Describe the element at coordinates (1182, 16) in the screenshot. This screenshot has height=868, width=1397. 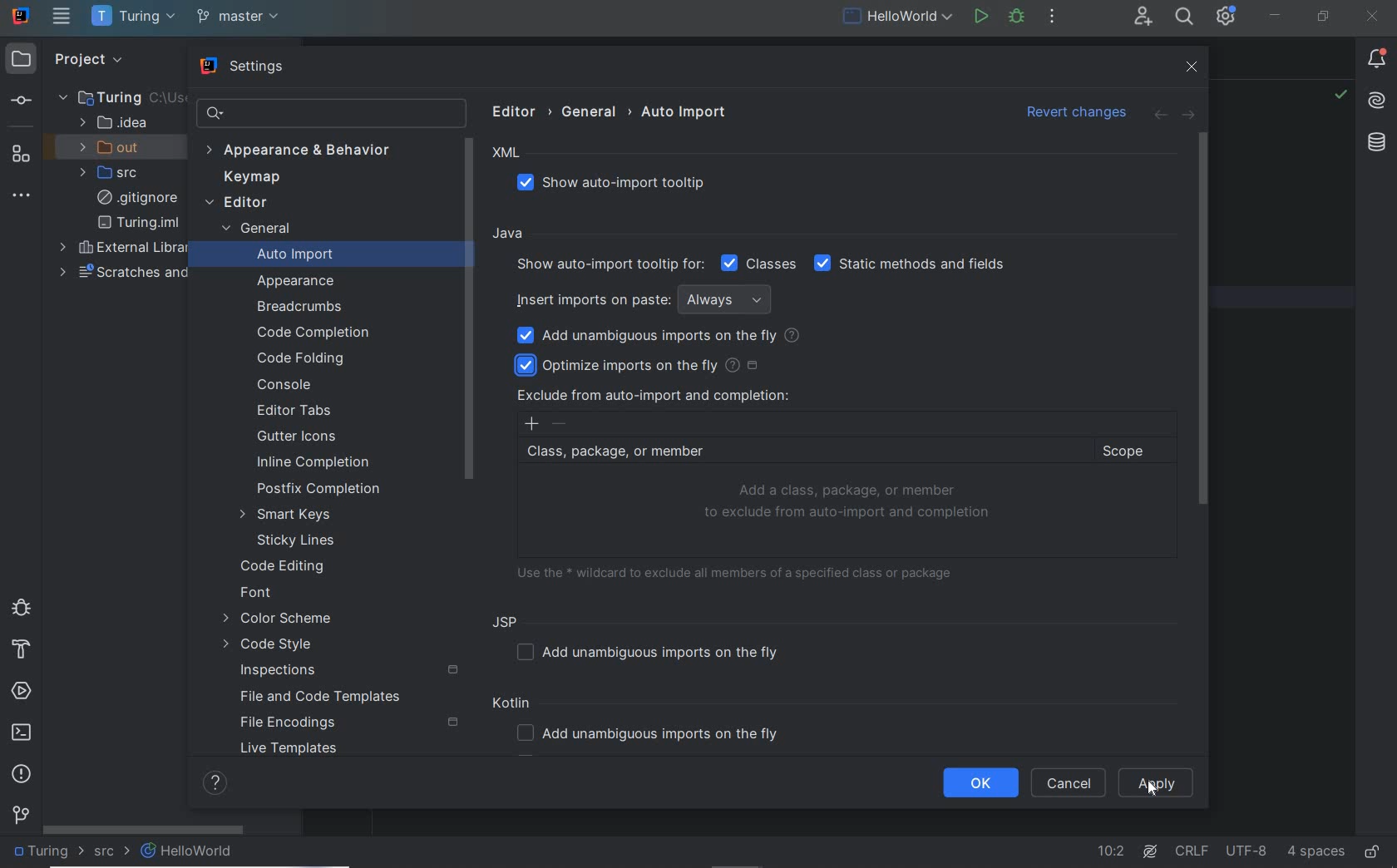
I see `SEARCH` at that location.